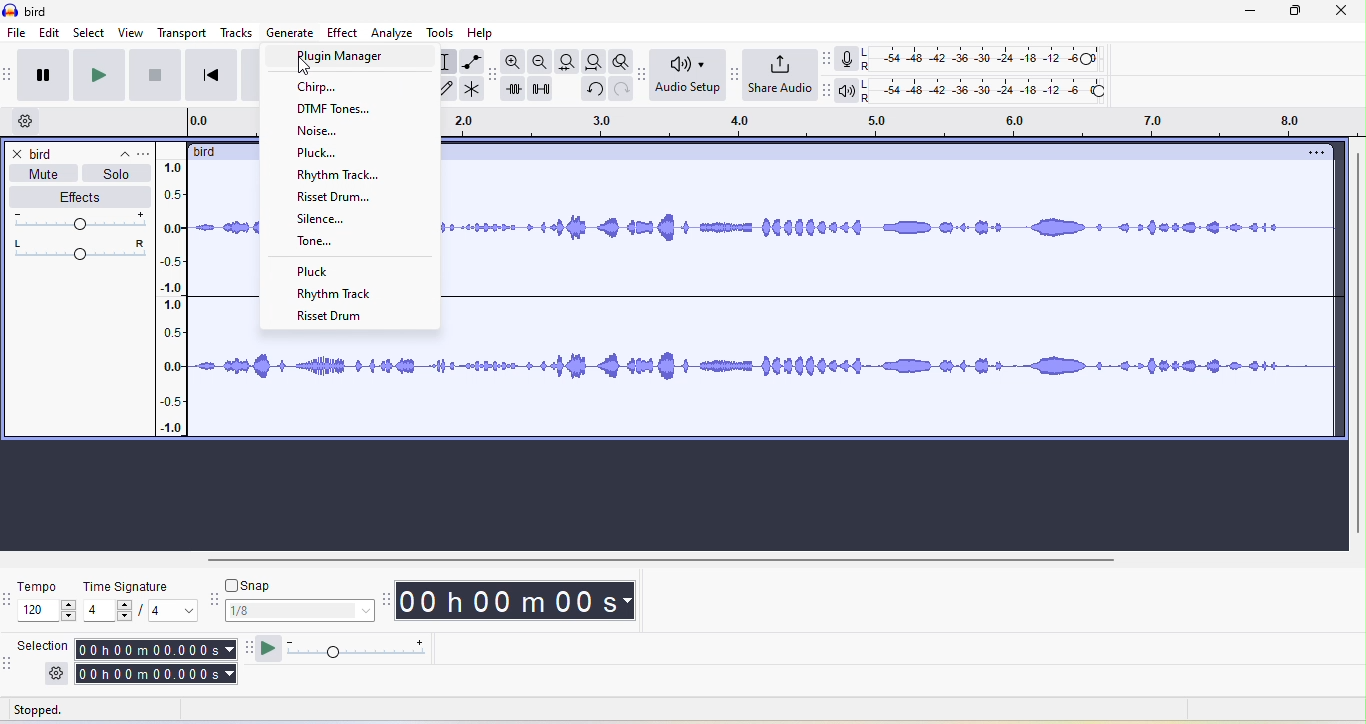  Describe the element at coordinates (592, 89) in the screenshot. I see `undo` at that location.